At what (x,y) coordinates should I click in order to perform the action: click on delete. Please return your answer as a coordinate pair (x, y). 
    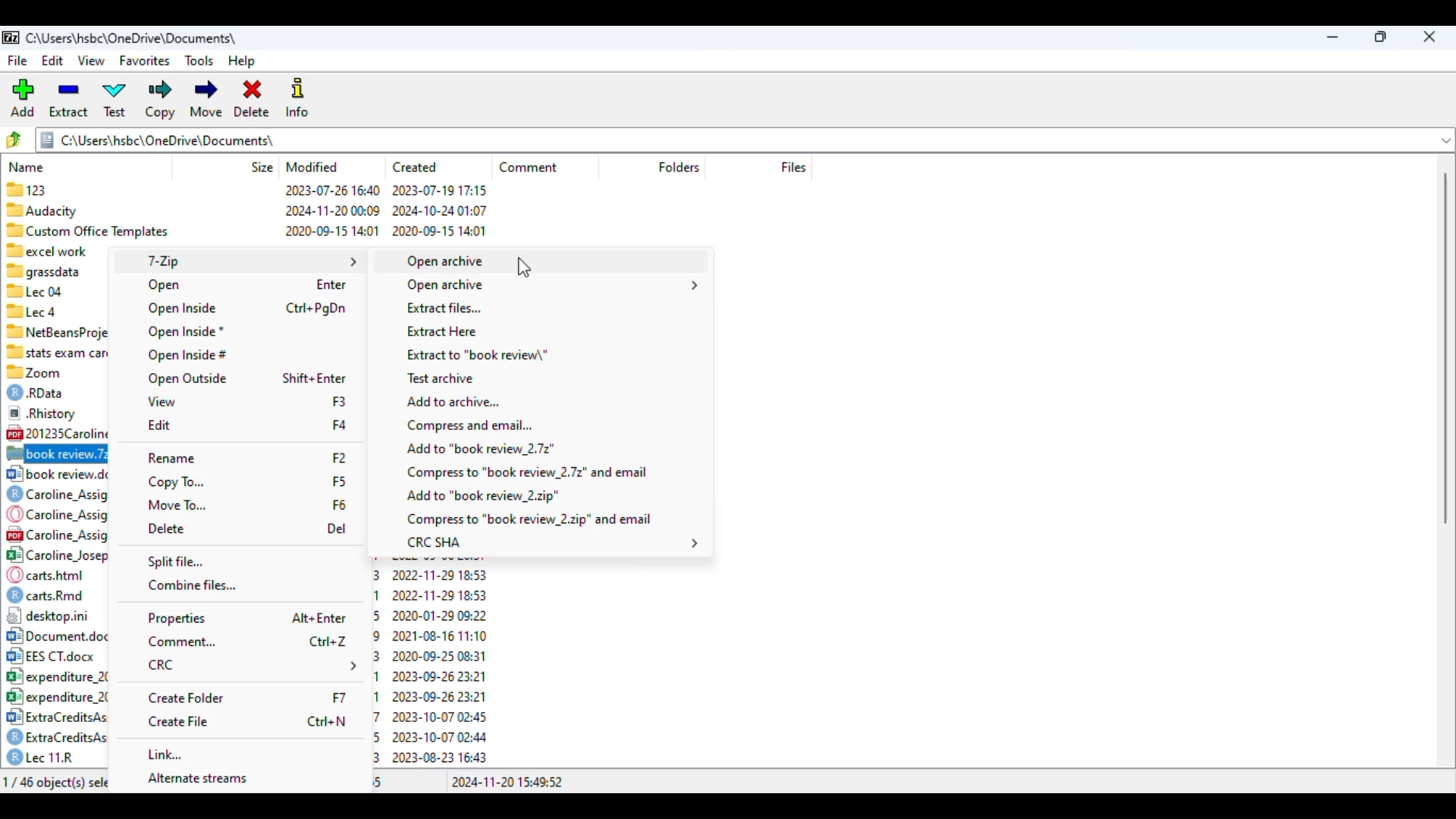
    Looking at the image, I should click on (252, 100).